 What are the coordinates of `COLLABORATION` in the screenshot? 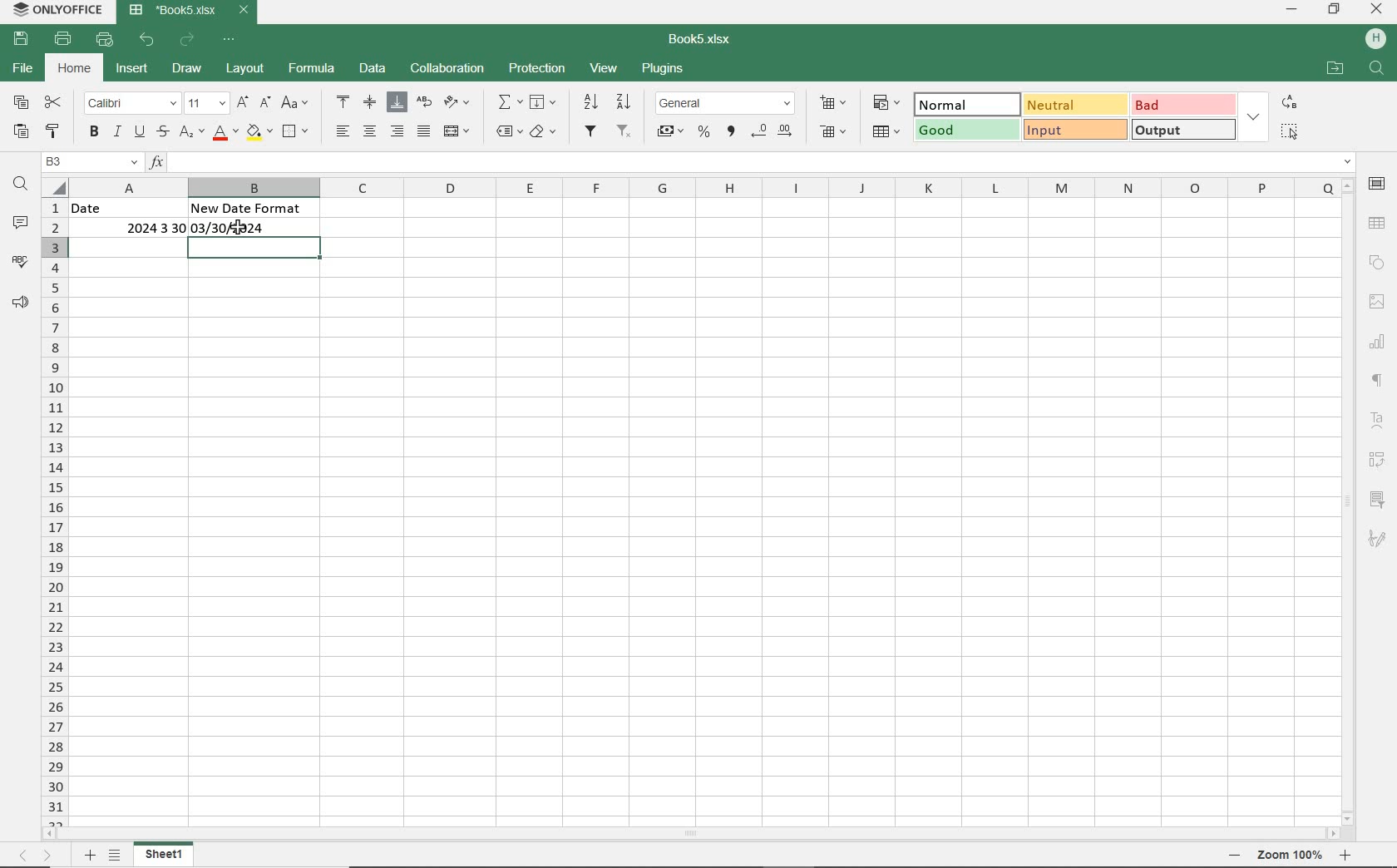 It's located at (450, 69).